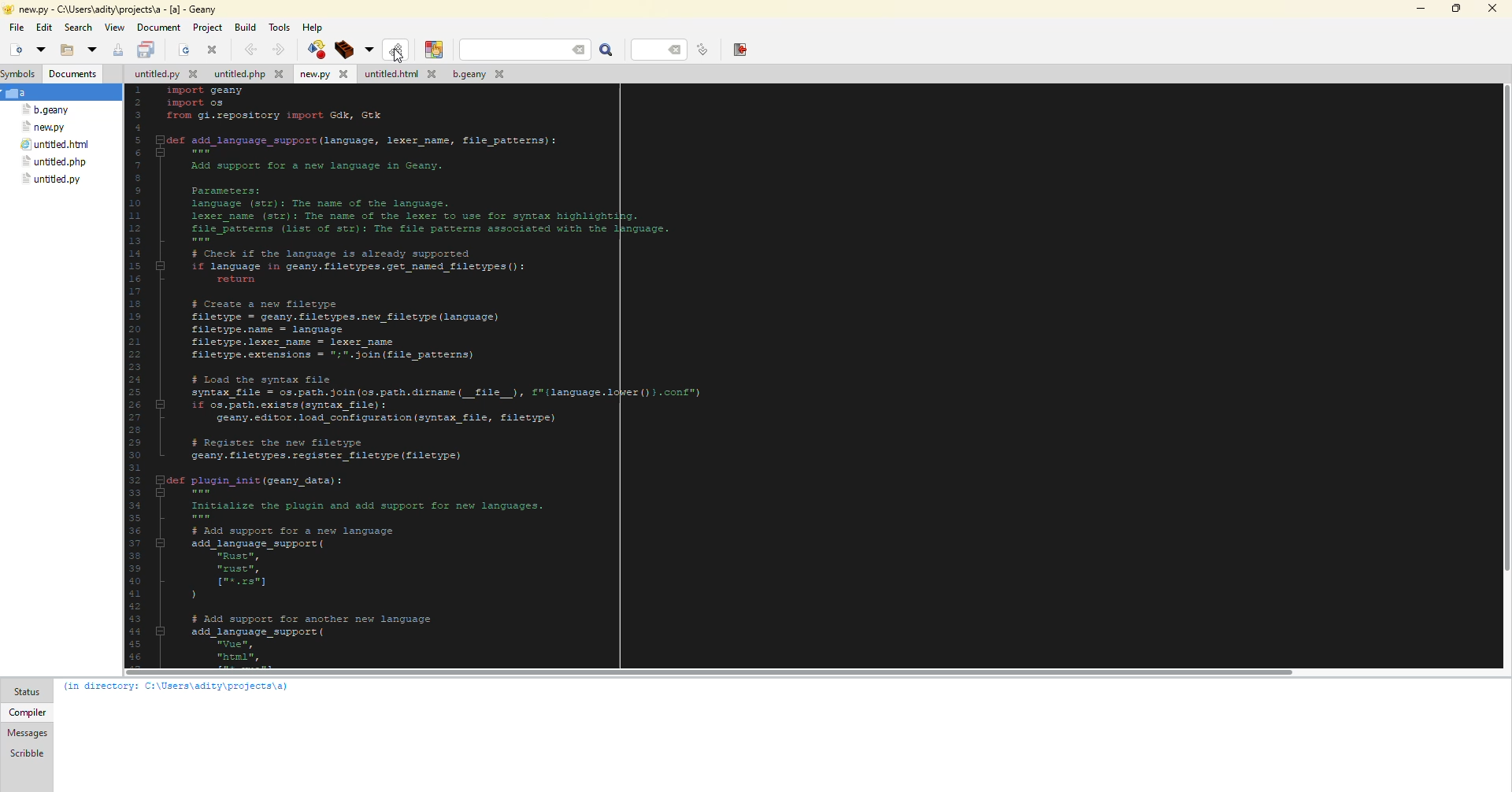 The width and height of the screenshot is (1512, 792). What do you see at coordinates (1453, 7) in the screenshot?
I see `maximize` at bounding box center [1453, 7].